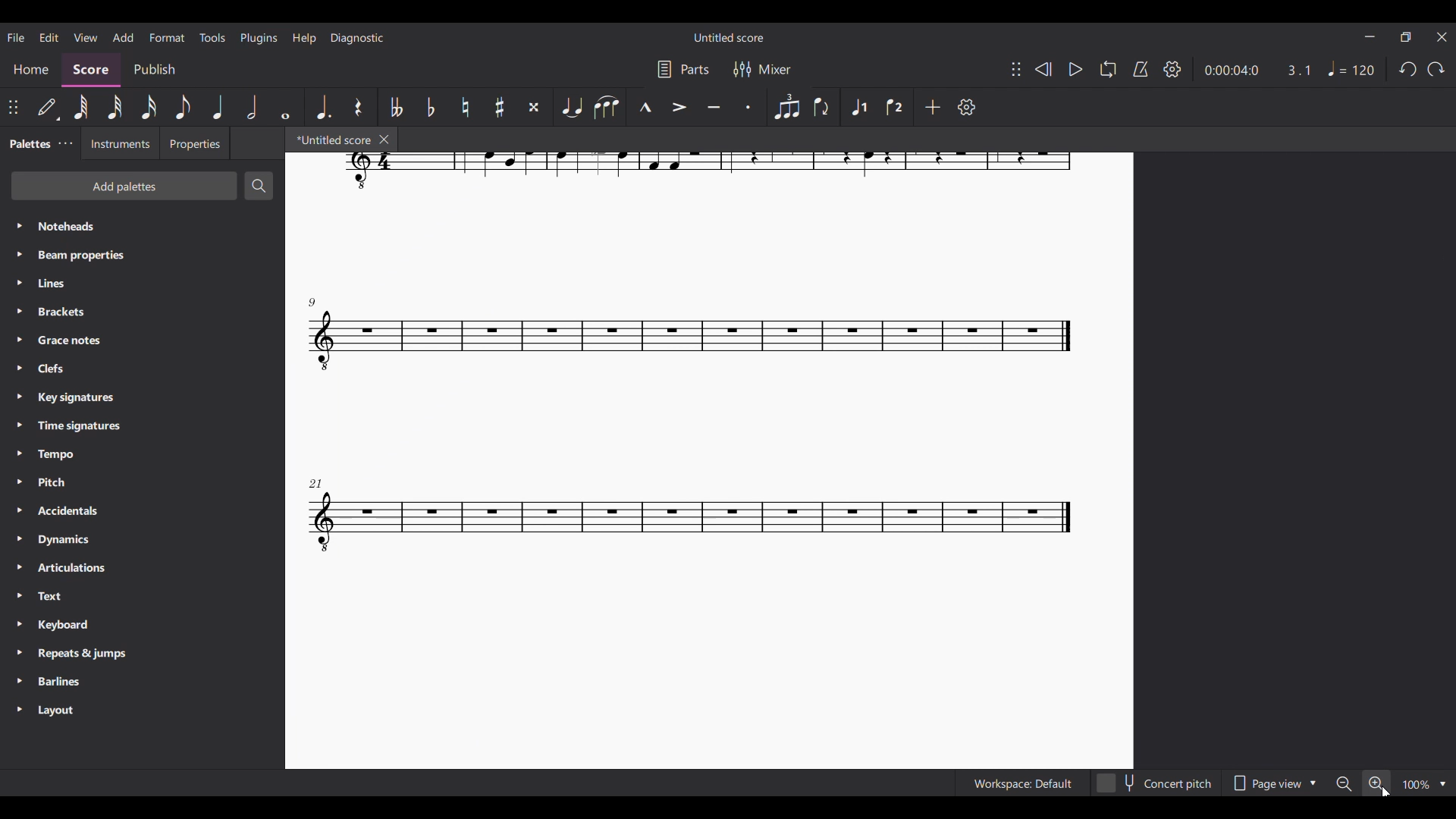  What do you see at coordinates (47, 108) in the screenshot?
I see `Default` at bounding box center [47, 108].